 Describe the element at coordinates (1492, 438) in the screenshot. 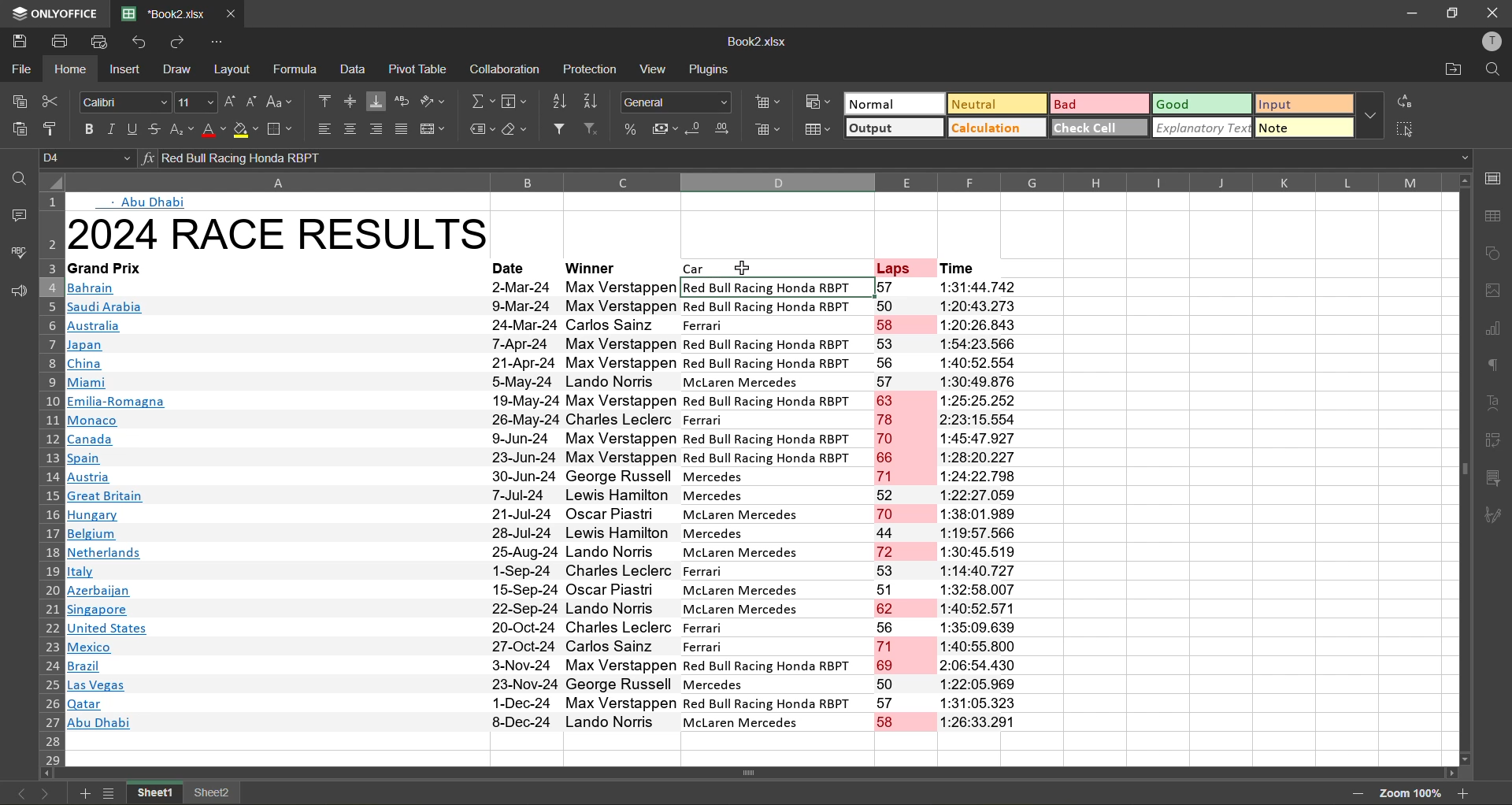

I see `pivot table` at that location.